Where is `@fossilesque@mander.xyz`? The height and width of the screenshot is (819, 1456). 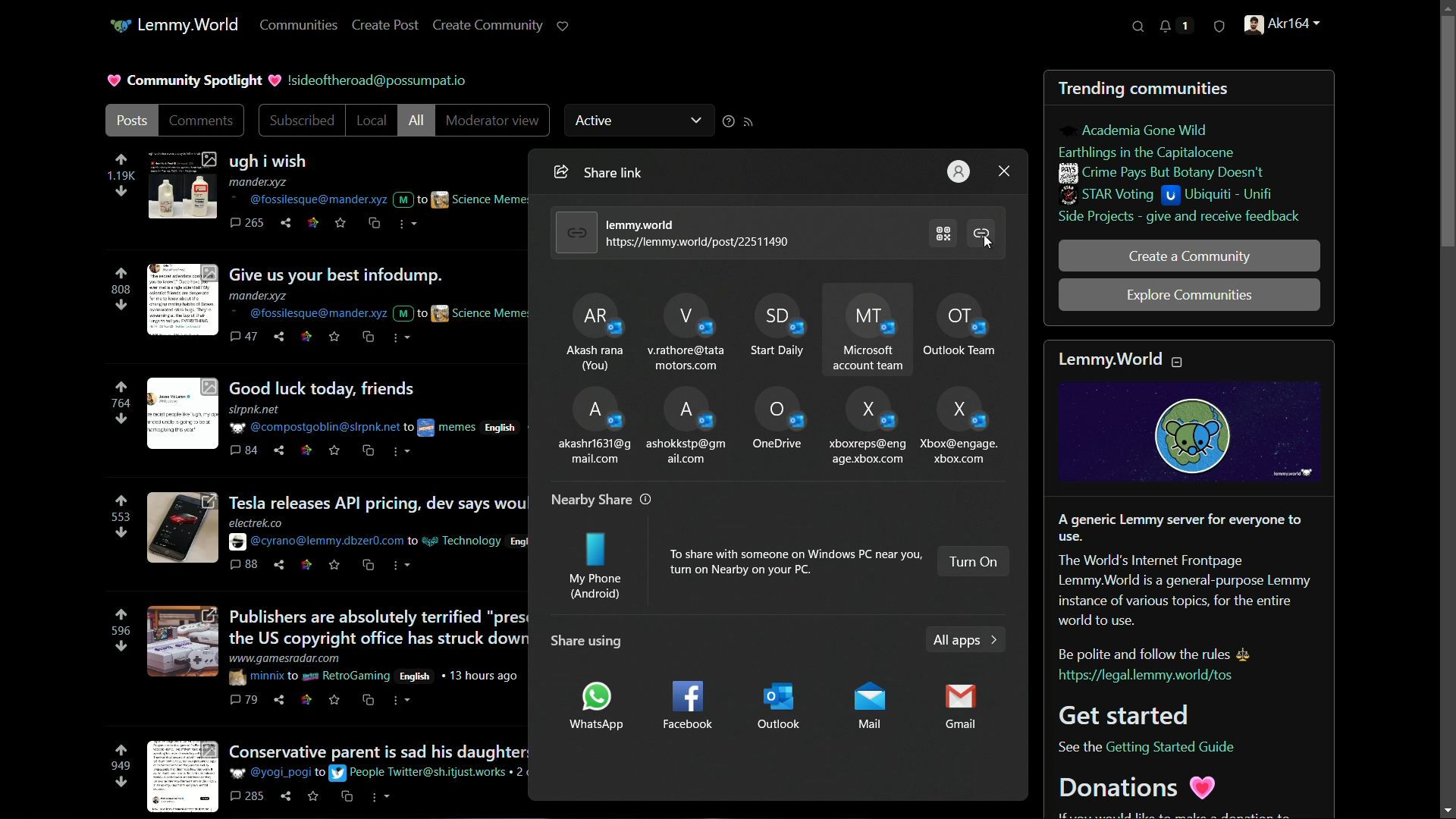 @fossilesque@mander.xyz is located at coordinates (306, 199).